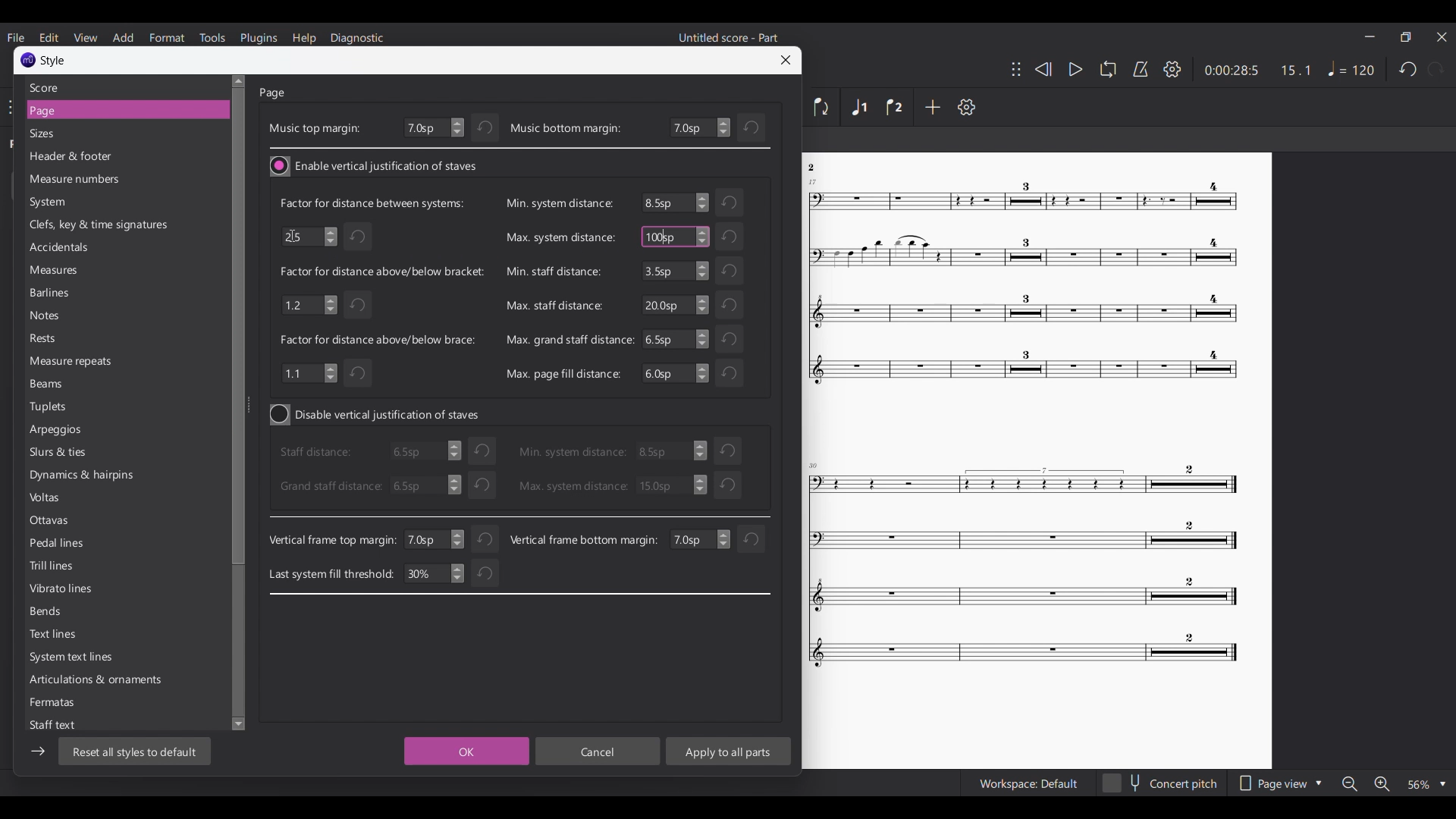  What do you see at coordinates (108, 249) in the screenshot?
I see `Accidentals` at bounding box center [108, 249].